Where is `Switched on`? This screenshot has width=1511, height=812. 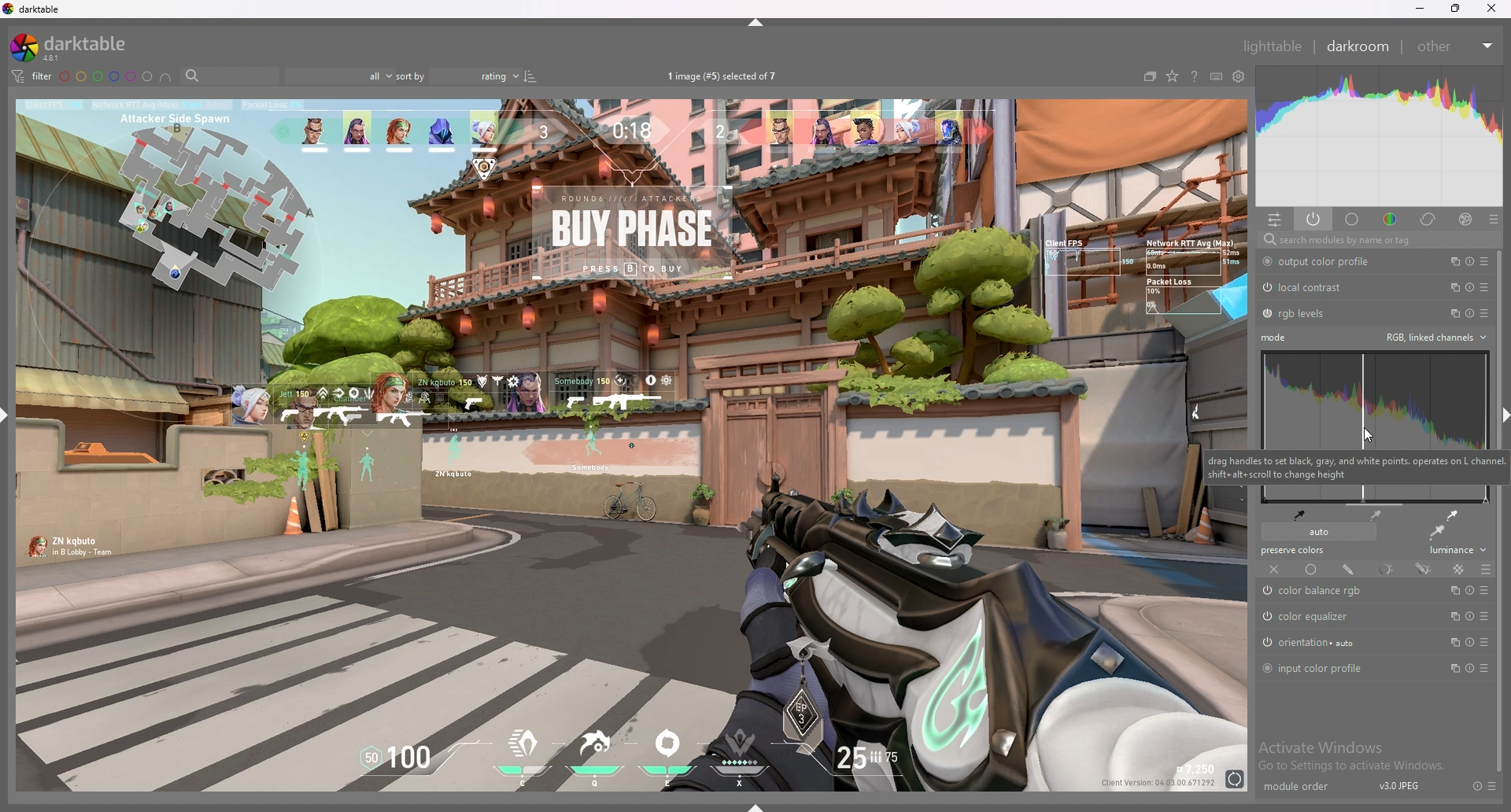
Switched on is located at coordinates (1266, 314).